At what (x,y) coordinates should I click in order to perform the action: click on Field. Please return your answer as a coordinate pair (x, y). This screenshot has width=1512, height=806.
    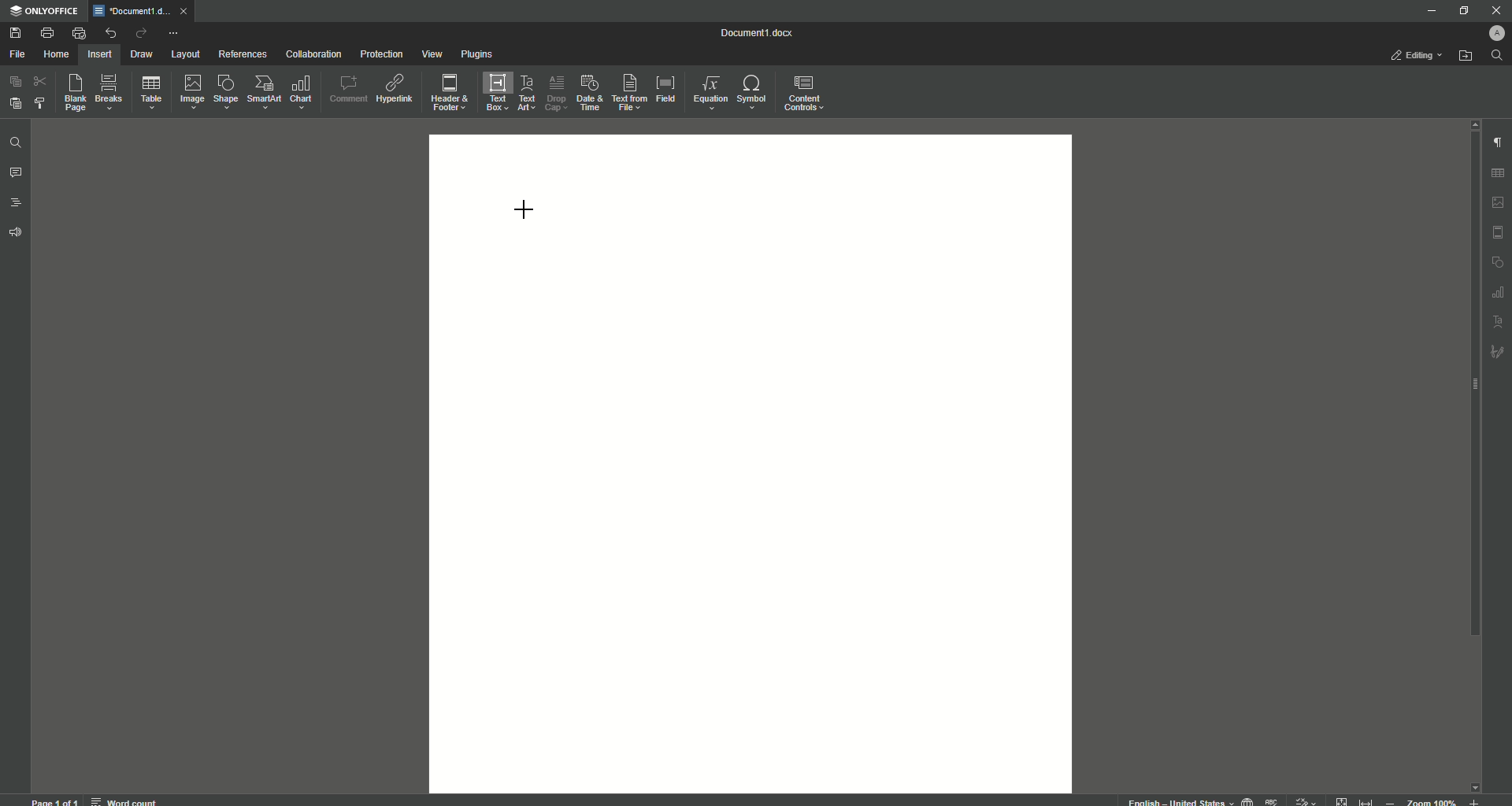
    Looking at the image, I should click on (665, 87).